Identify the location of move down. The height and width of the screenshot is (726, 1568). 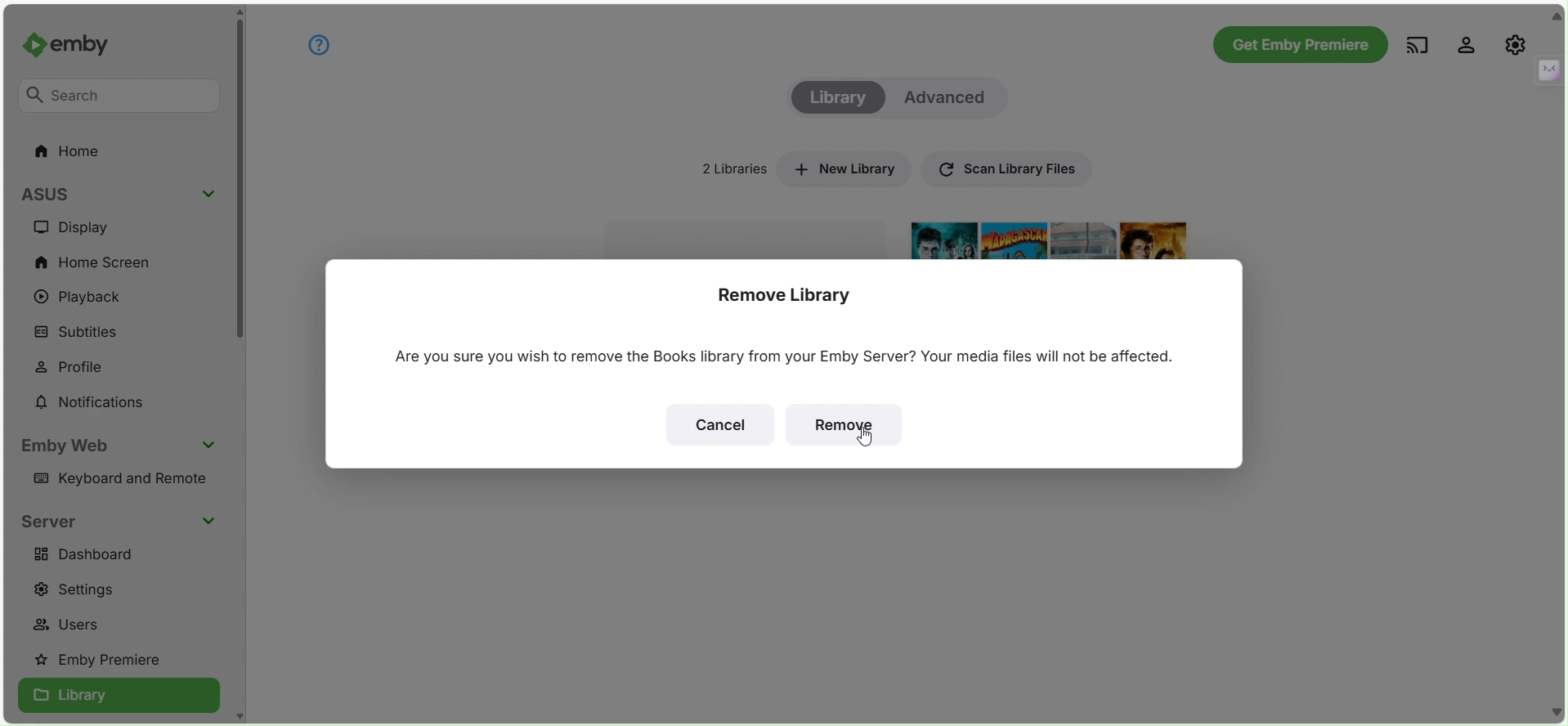
(239, 715).